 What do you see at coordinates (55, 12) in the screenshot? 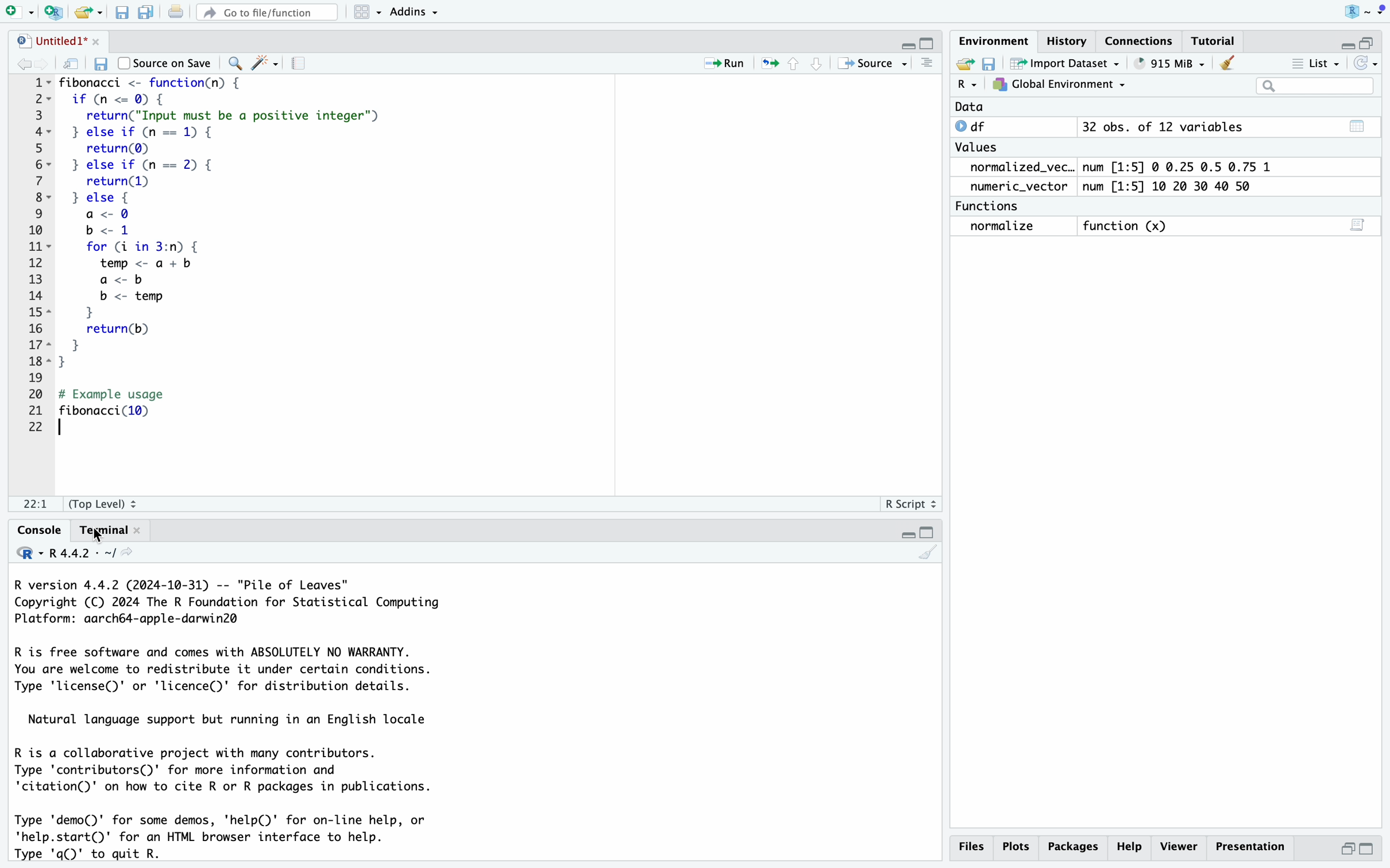
I see `create a project` at bounding box center [55, 12].